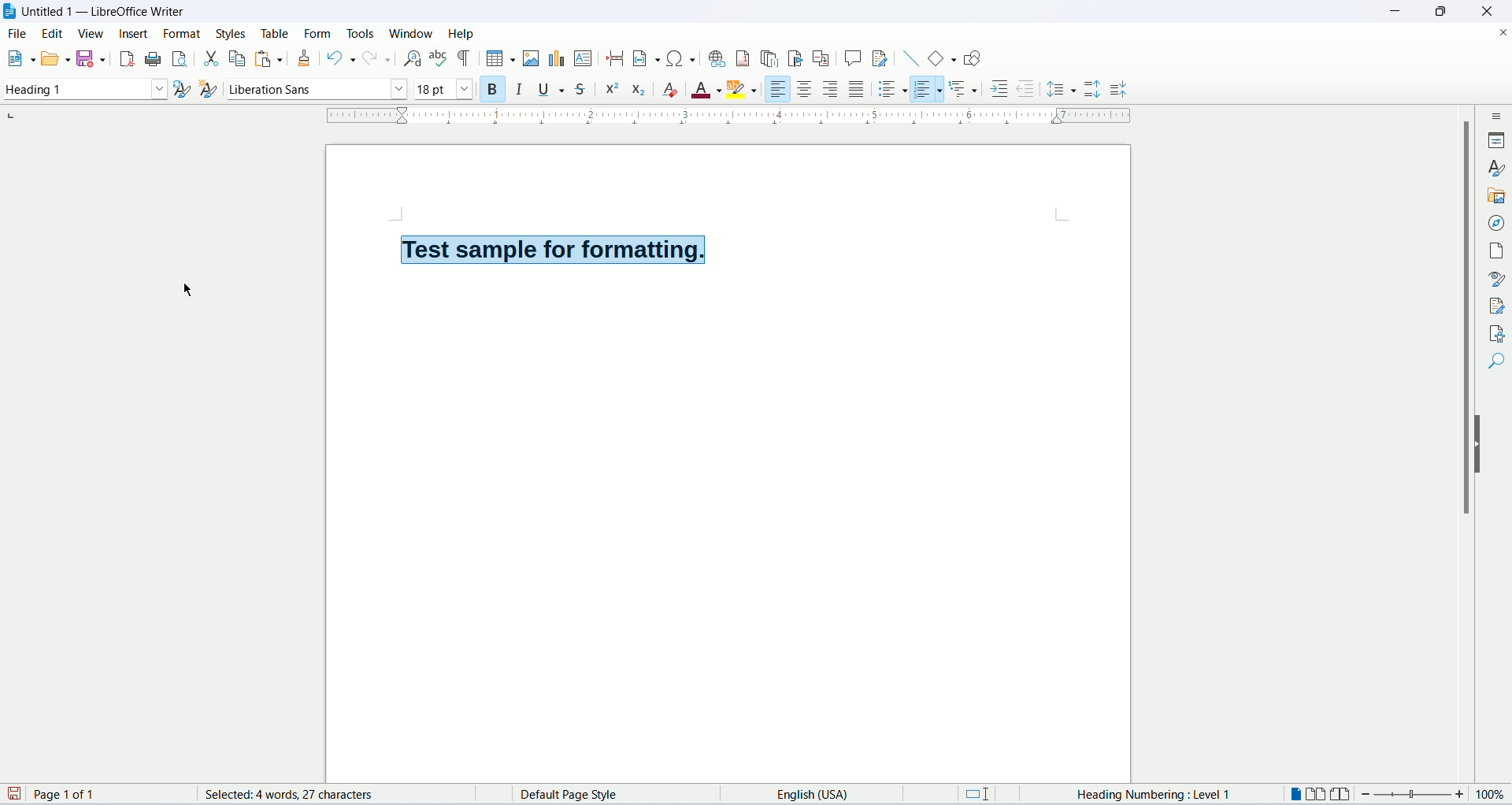 This screenshot has height=805, width=1512. What do you see at coordinates (554, 90) in the screenshot?
I see `underline` at bounding box center [554, 90].